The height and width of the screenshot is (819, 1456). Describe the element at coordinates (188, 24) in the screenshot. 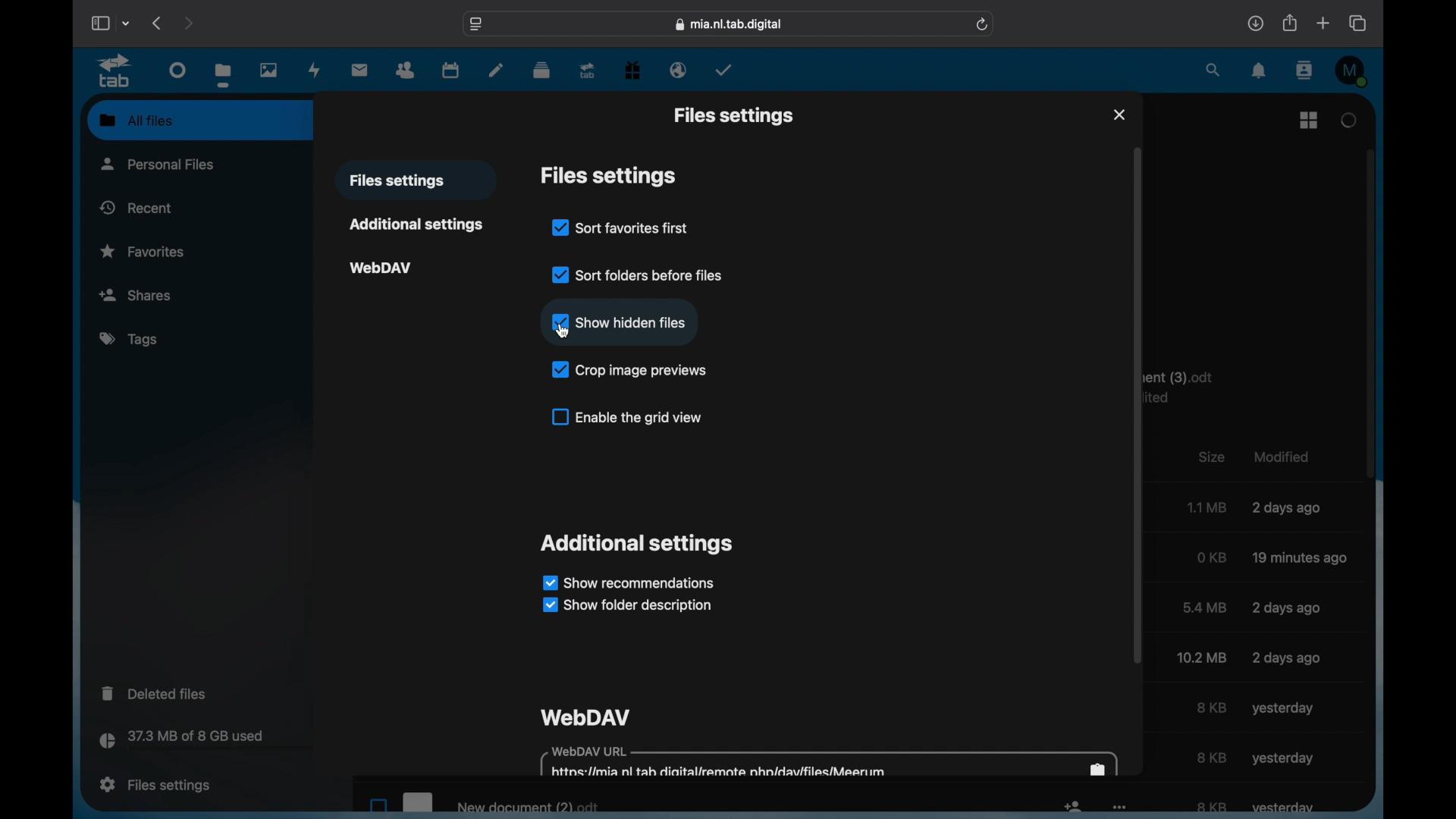

I see `next` at that location.